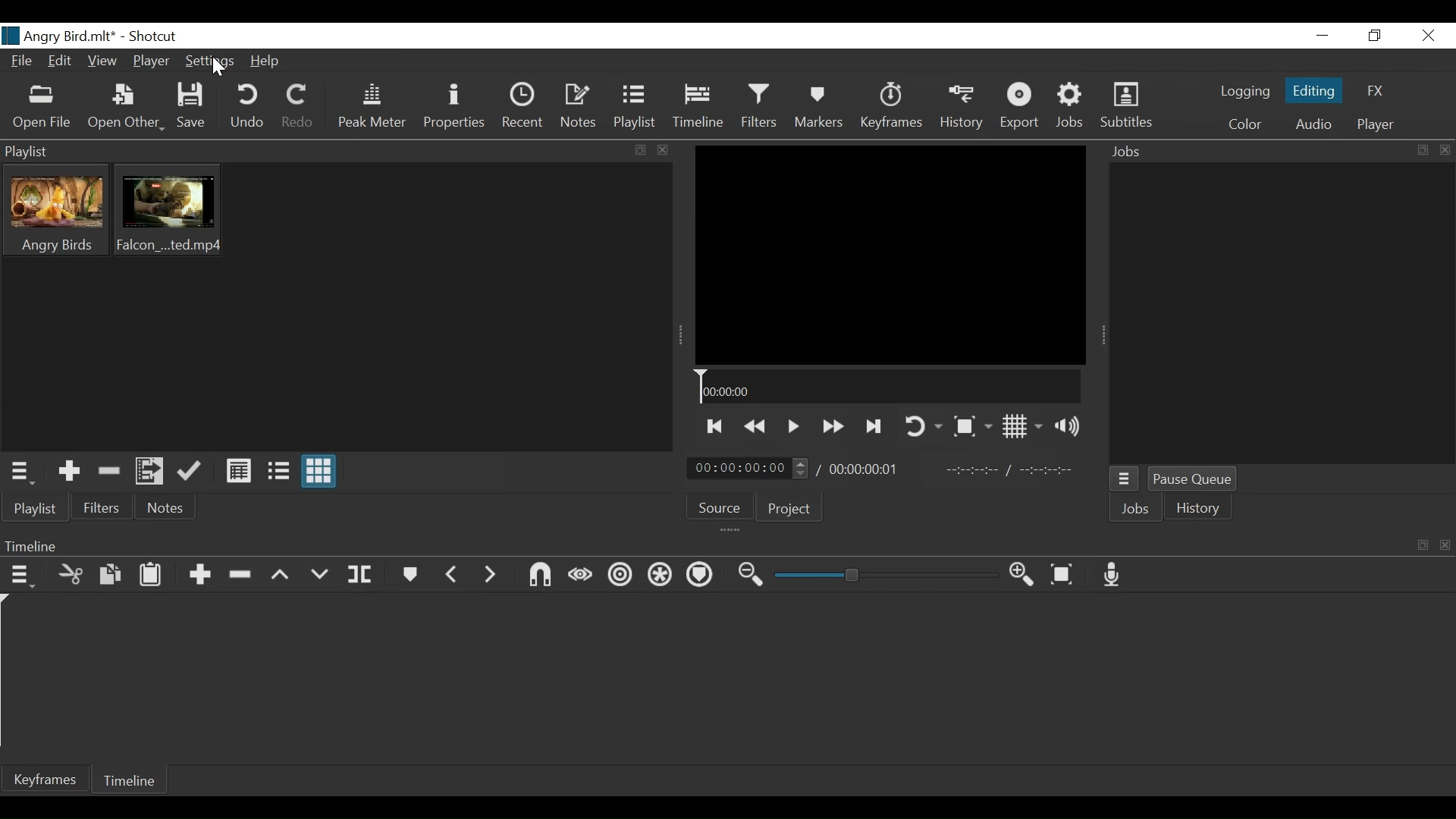 Image resolution: width=1456 pixels, height=819 pixels. I want to click on Add files to the playlist, so click(149, 471).